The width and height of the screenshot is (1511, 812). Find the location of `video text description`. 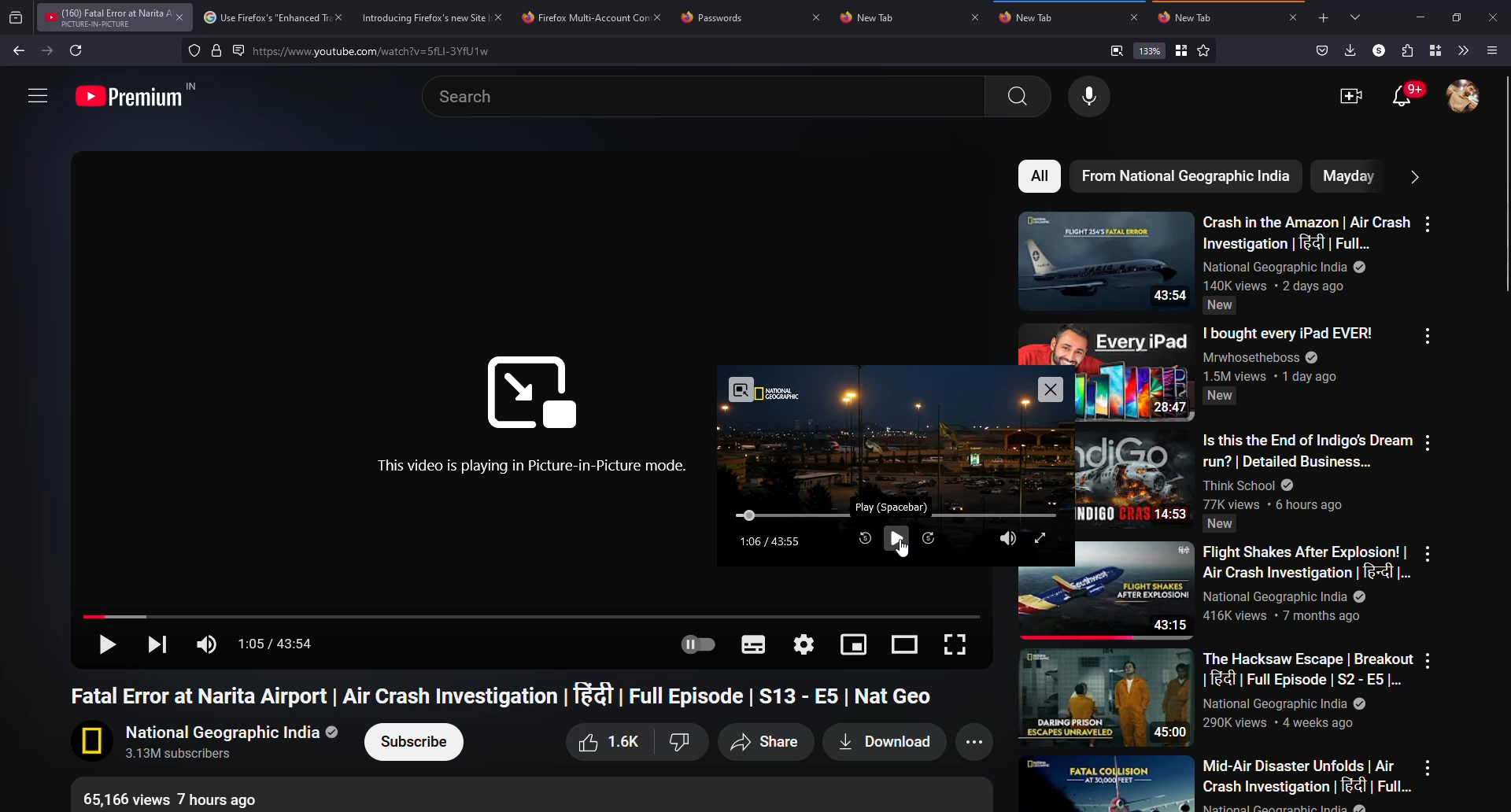

video text description is located at coordinates (1308, 471).